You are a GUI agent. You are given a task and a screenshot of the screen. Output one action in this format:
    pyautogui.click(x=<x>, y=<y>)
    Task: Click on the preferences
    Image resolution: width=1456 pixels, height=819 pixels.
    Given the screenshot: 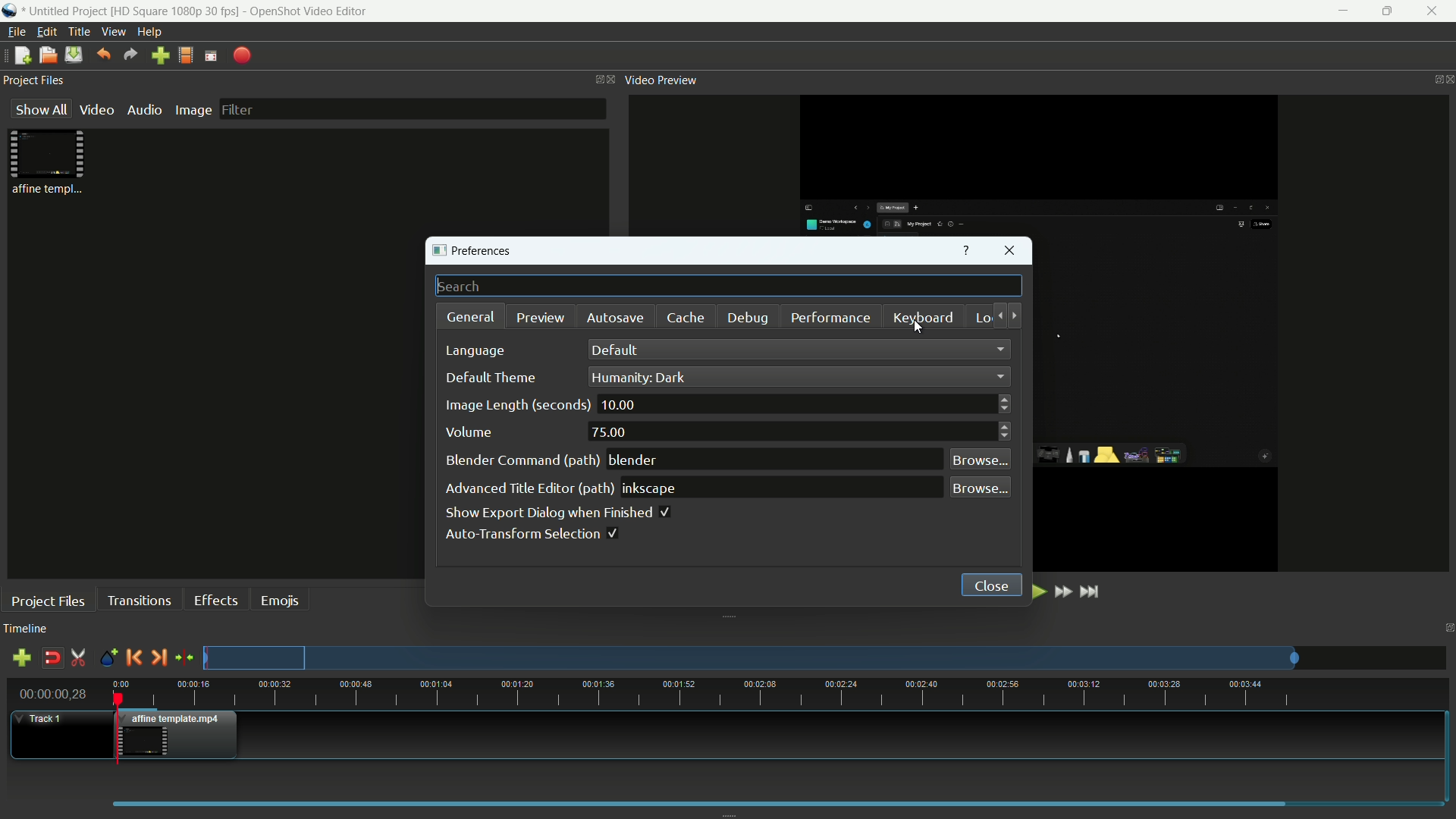 What is the action you would take?
    pyautogui.click(x=477, y=252)
    